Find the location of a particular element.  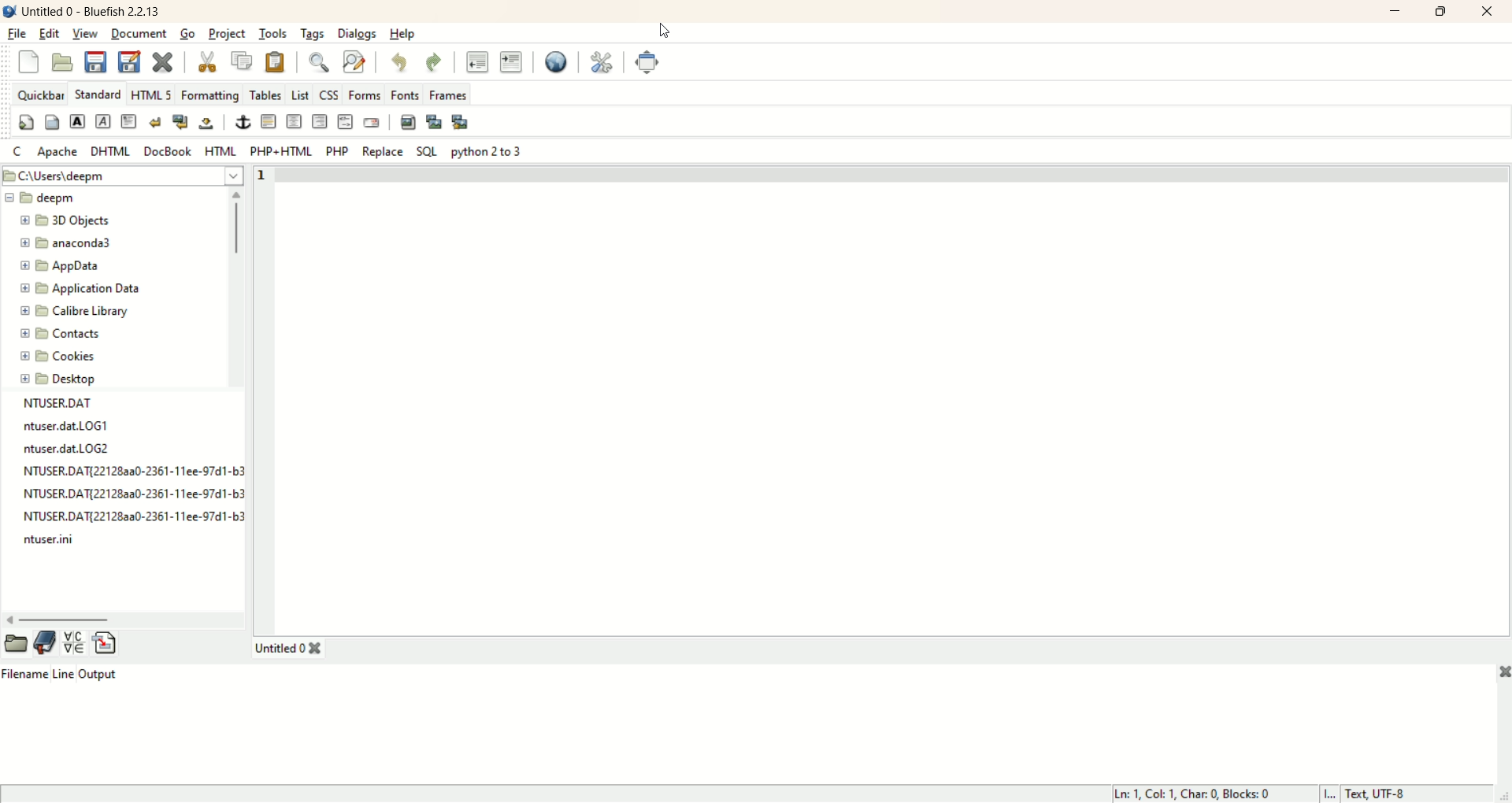

NTUSER.DAT is located at coordinates (56, 401).